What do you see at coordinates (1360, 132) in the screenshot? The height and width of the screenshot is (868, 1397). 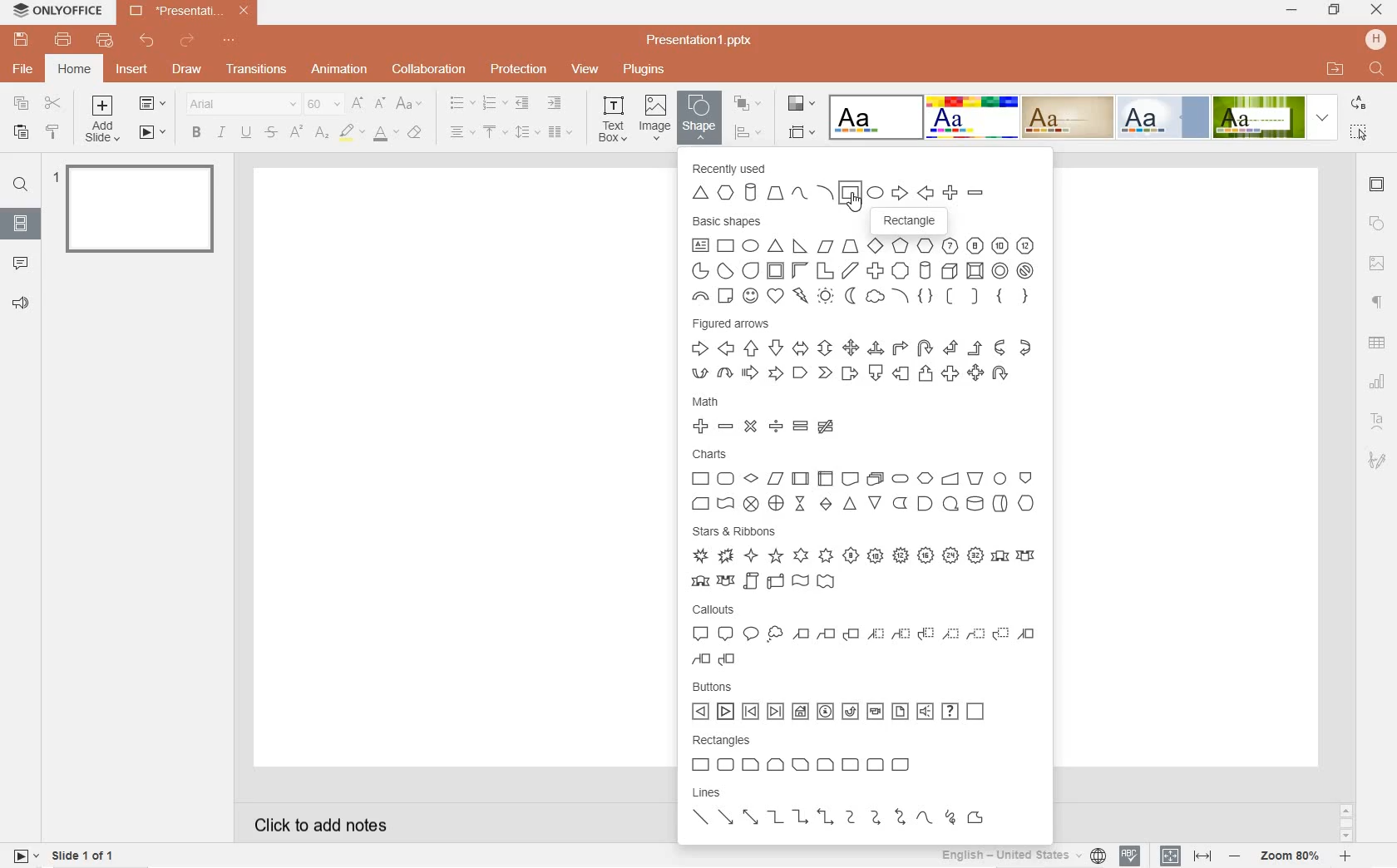 I see `select all` at bounding box center [1360, 132].